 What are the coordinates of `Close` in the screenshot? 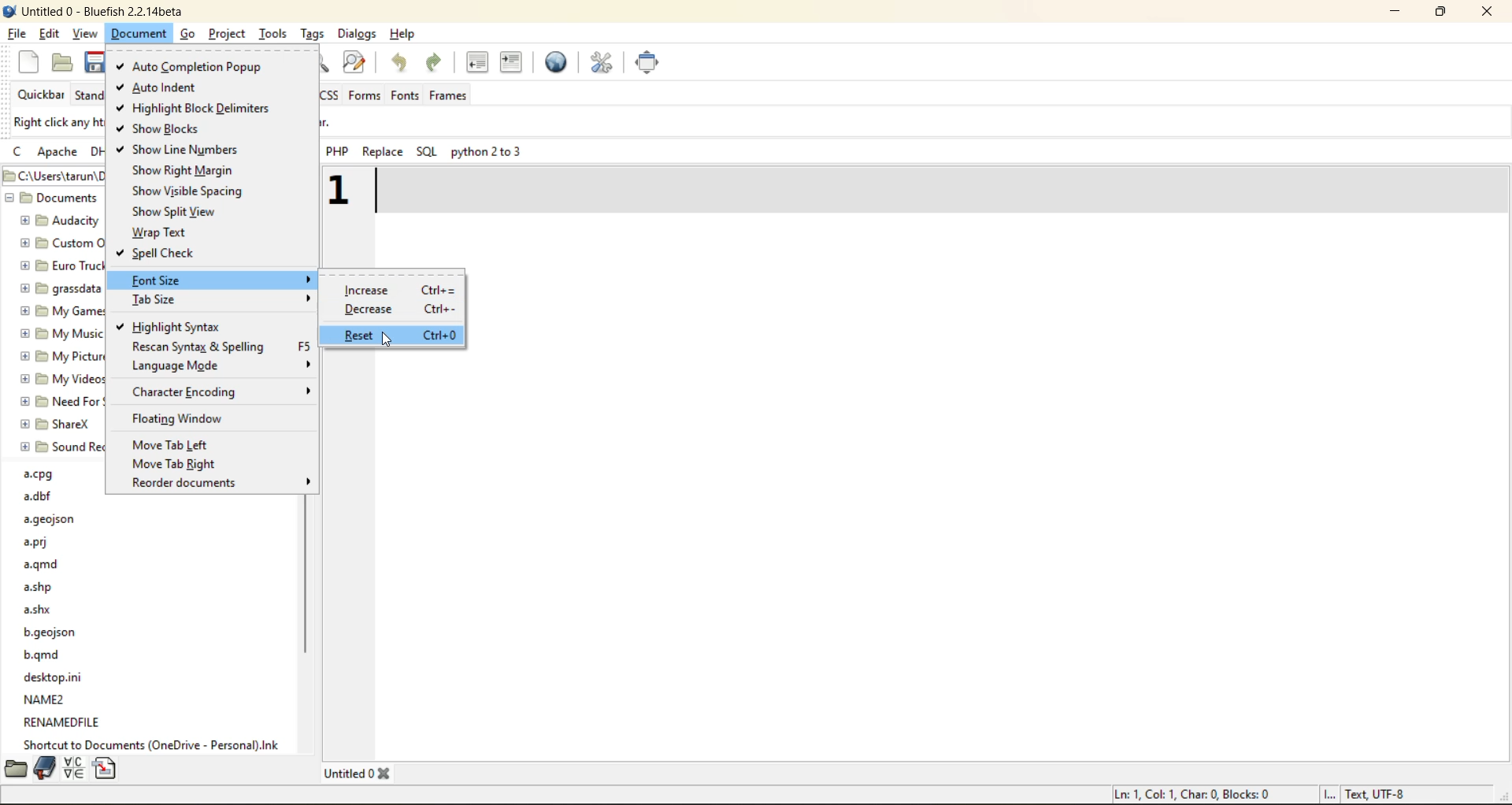 It's located at (387, 775).